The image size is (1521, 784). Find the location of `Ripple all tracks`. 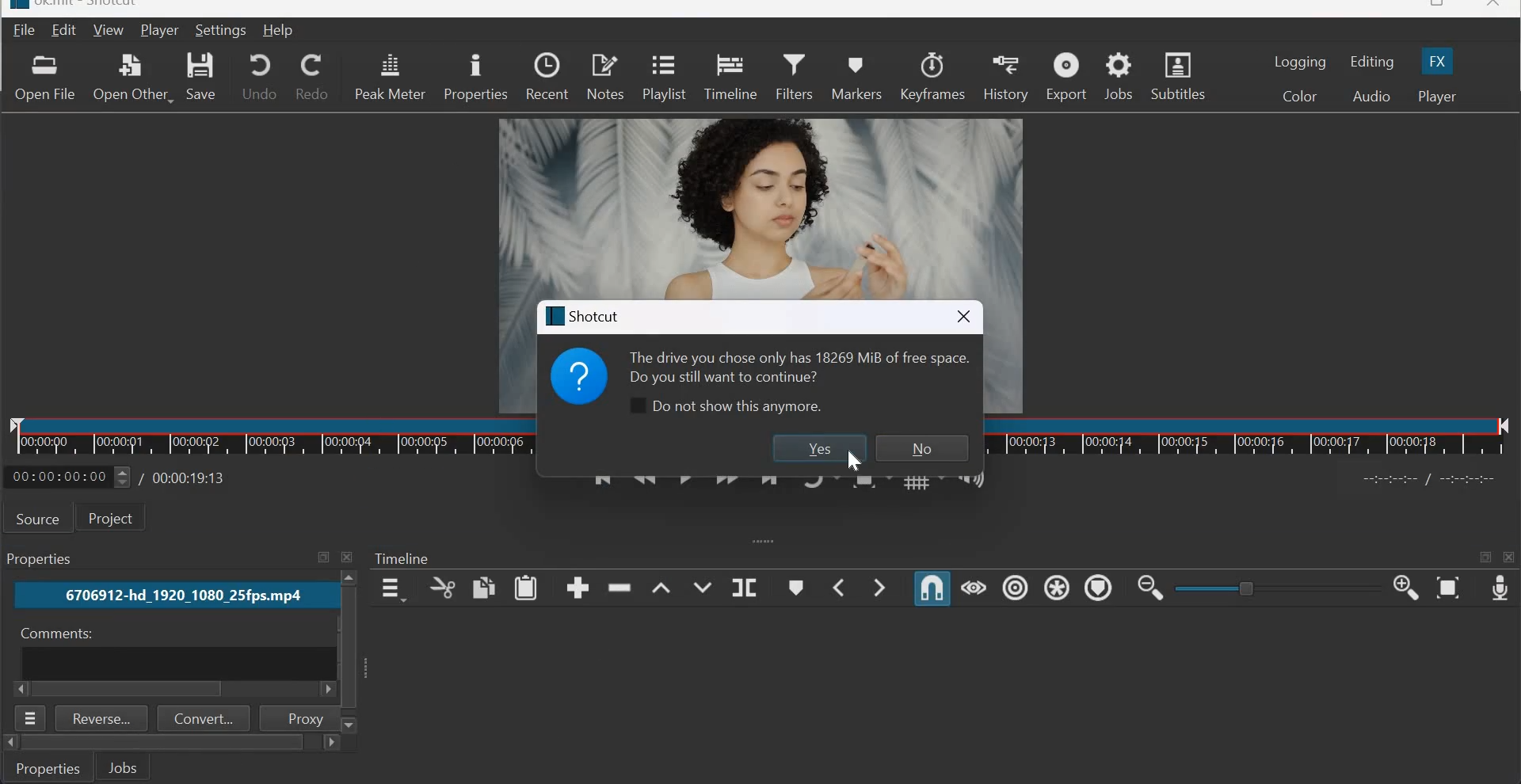

Ripple all tracks is located at coordinates (1056, 587).